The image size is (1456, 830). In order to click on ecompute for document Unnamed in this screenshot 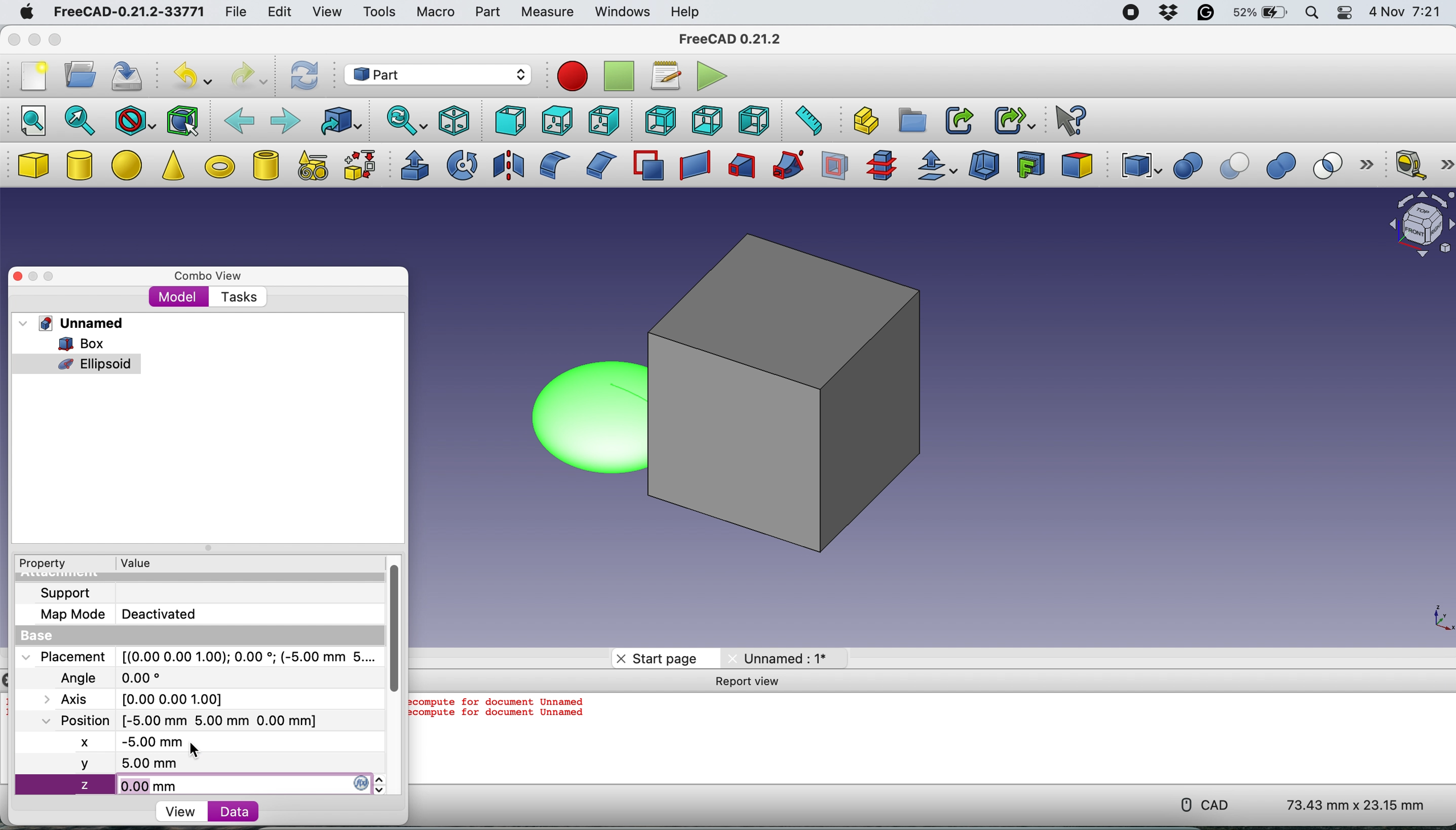, I will do `click(504, 718)`.